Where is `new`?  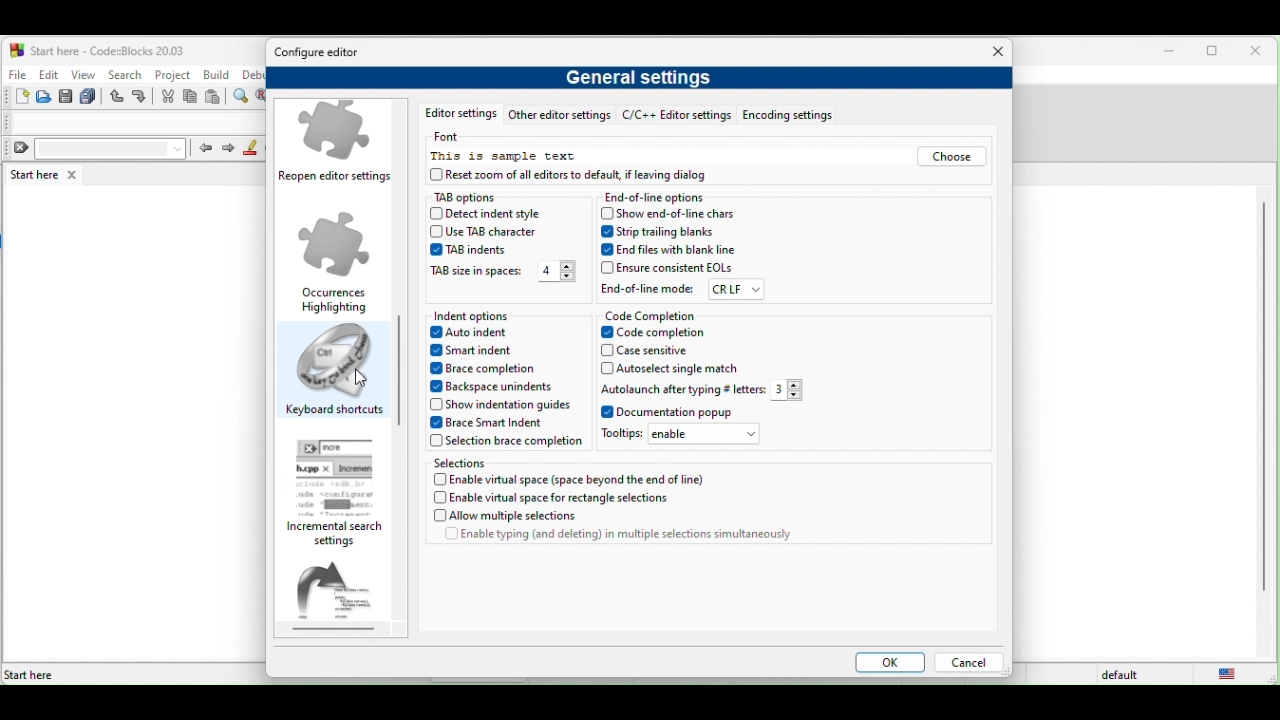 new is located at coordinates (16, 97).